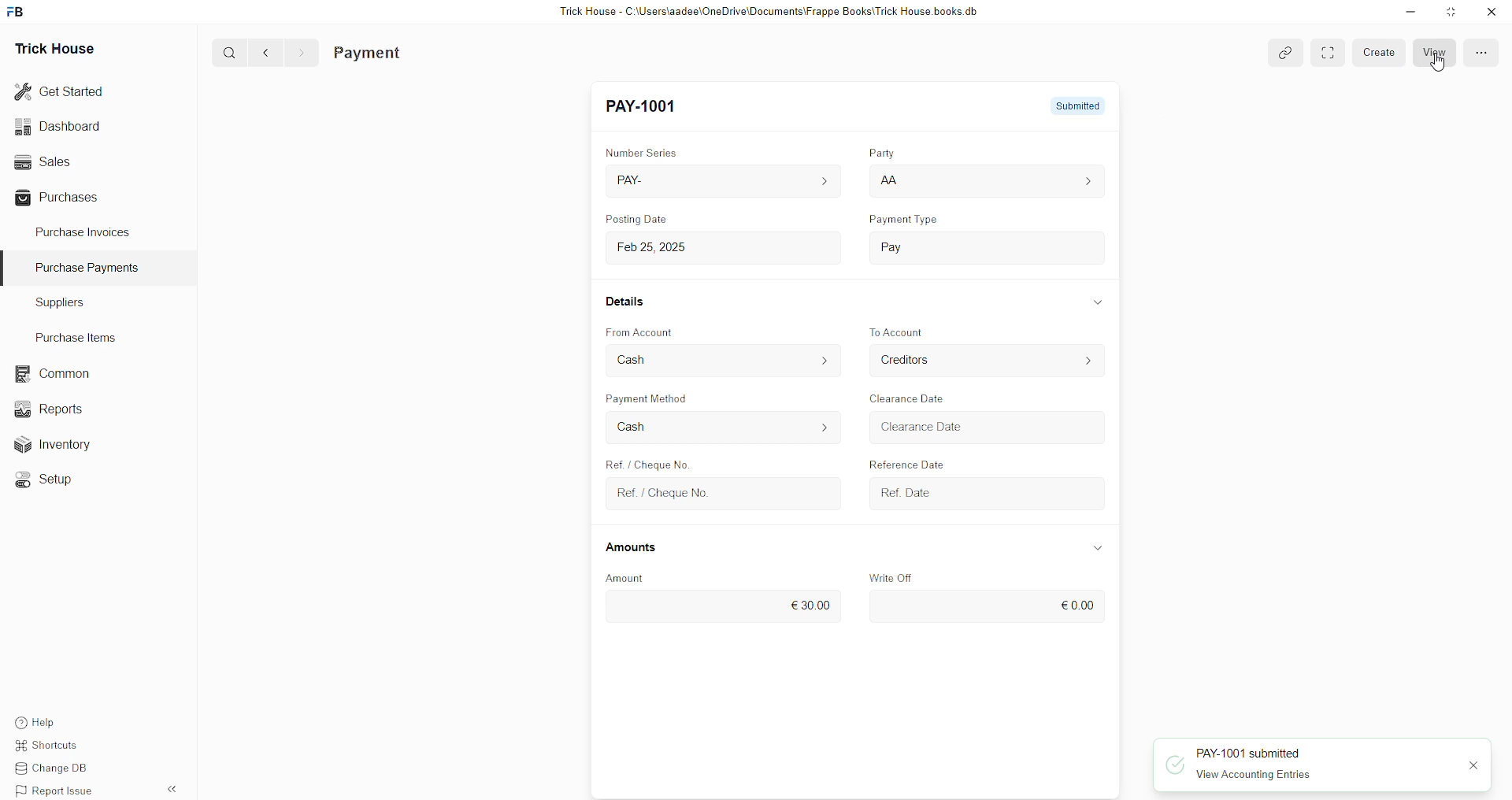 This screenshot has height=800, width=1512. Describe the element at coordinates (50, 47) in the screenshot. I see `Trick House` at that location.